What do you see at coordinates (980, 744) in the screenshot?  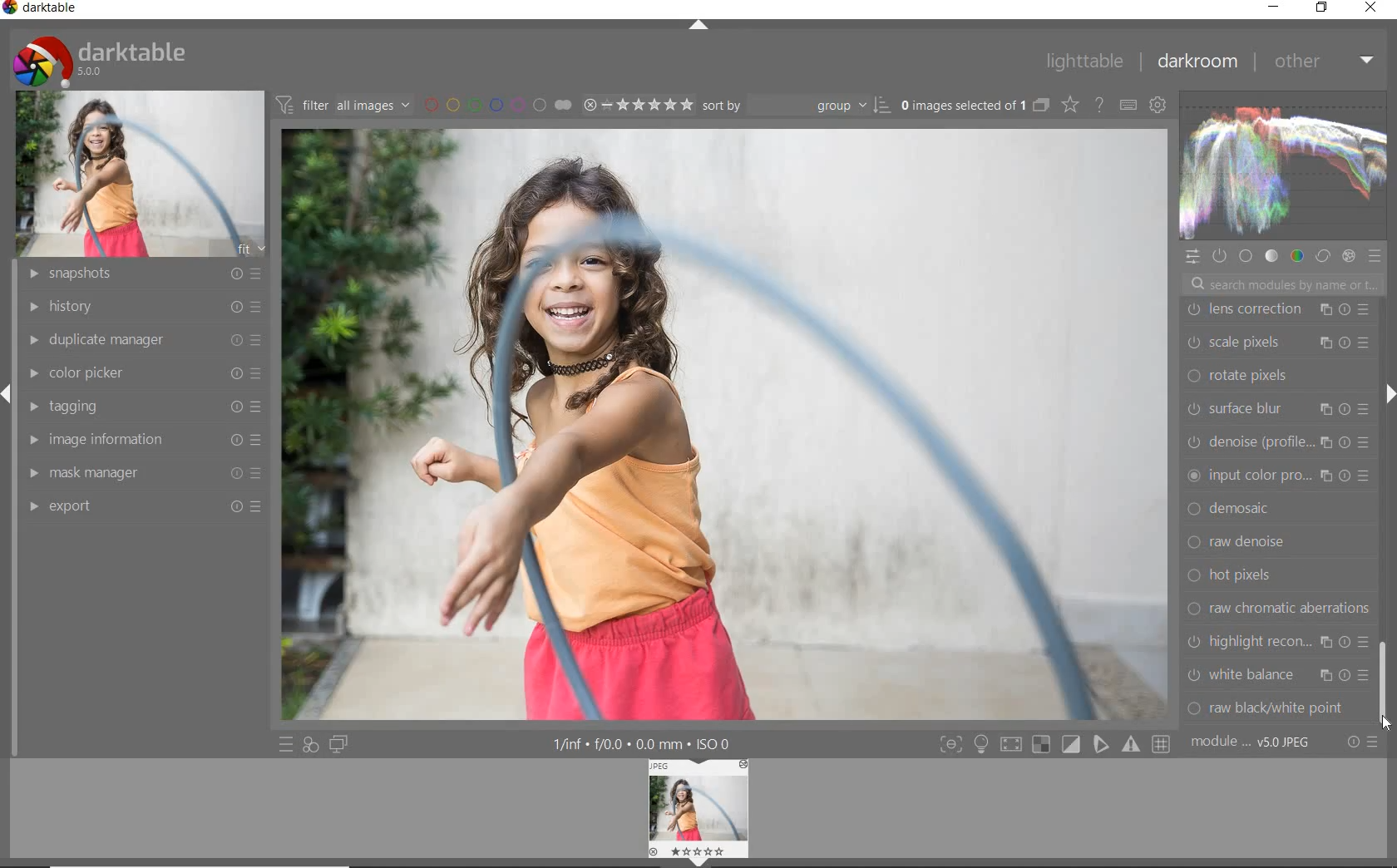 I see `sign ` at bounding box center [980, 744].